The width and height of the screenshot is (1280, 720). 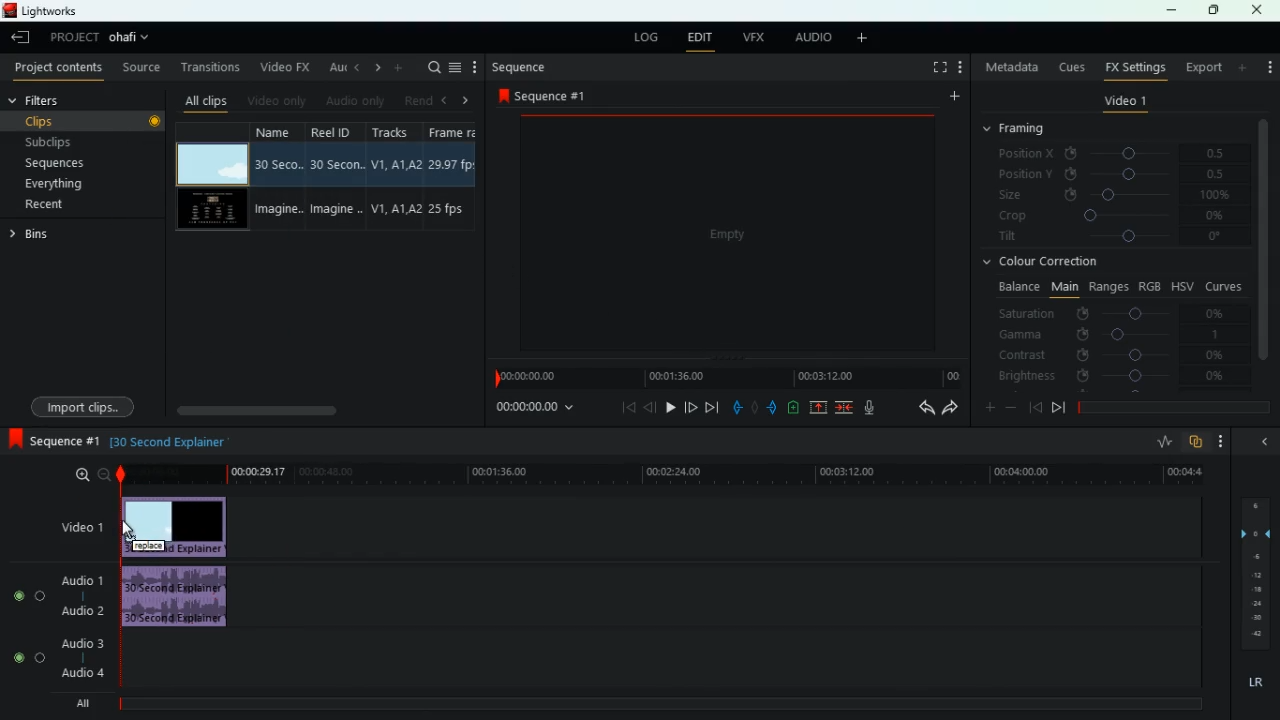 What do you see at coordinates (1150, 285) in the screenshot?
I see `rgb` at bounding box center [1150, 285].